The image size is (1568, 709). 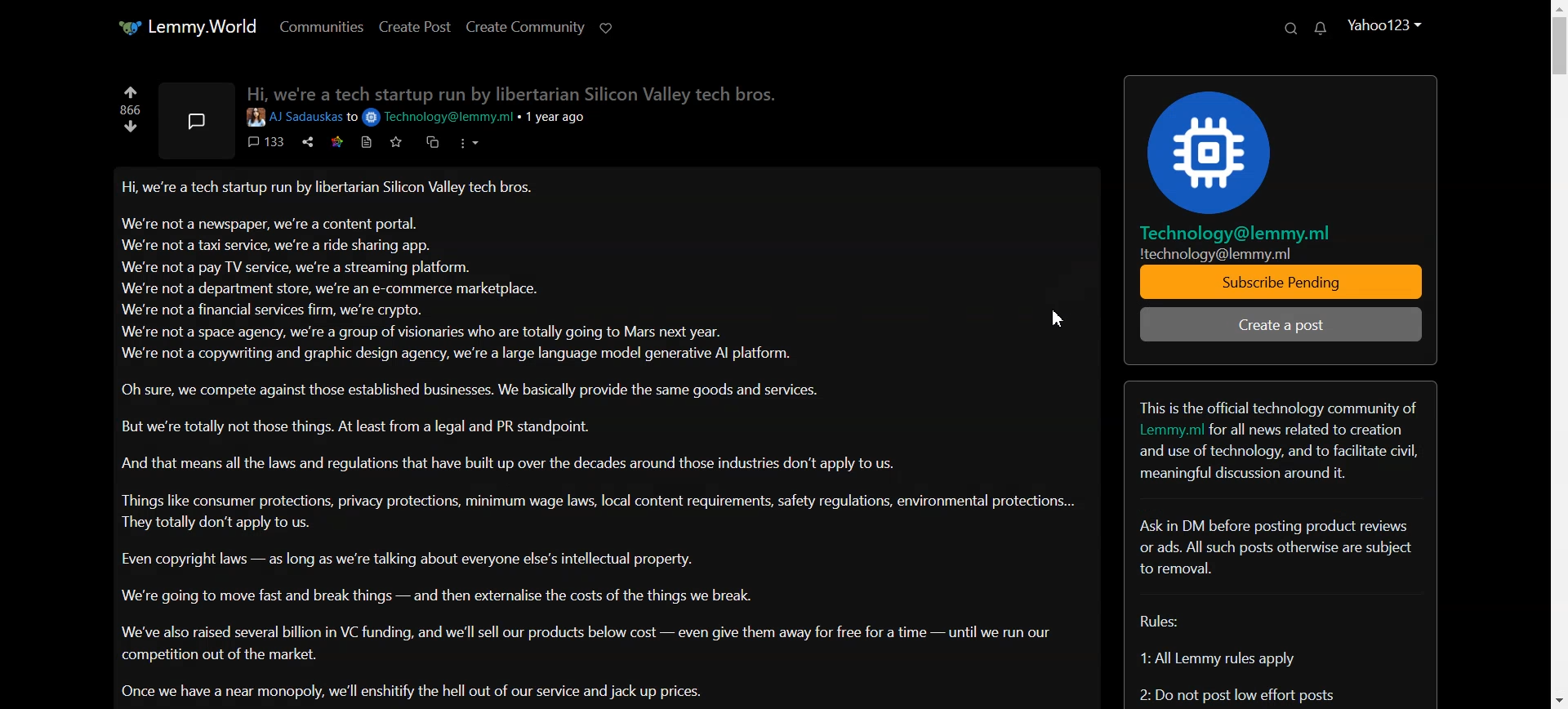 What do you see at coordinates (468, 142) in the screenshot?
I see `More actions` at bounding box center [468, 142].